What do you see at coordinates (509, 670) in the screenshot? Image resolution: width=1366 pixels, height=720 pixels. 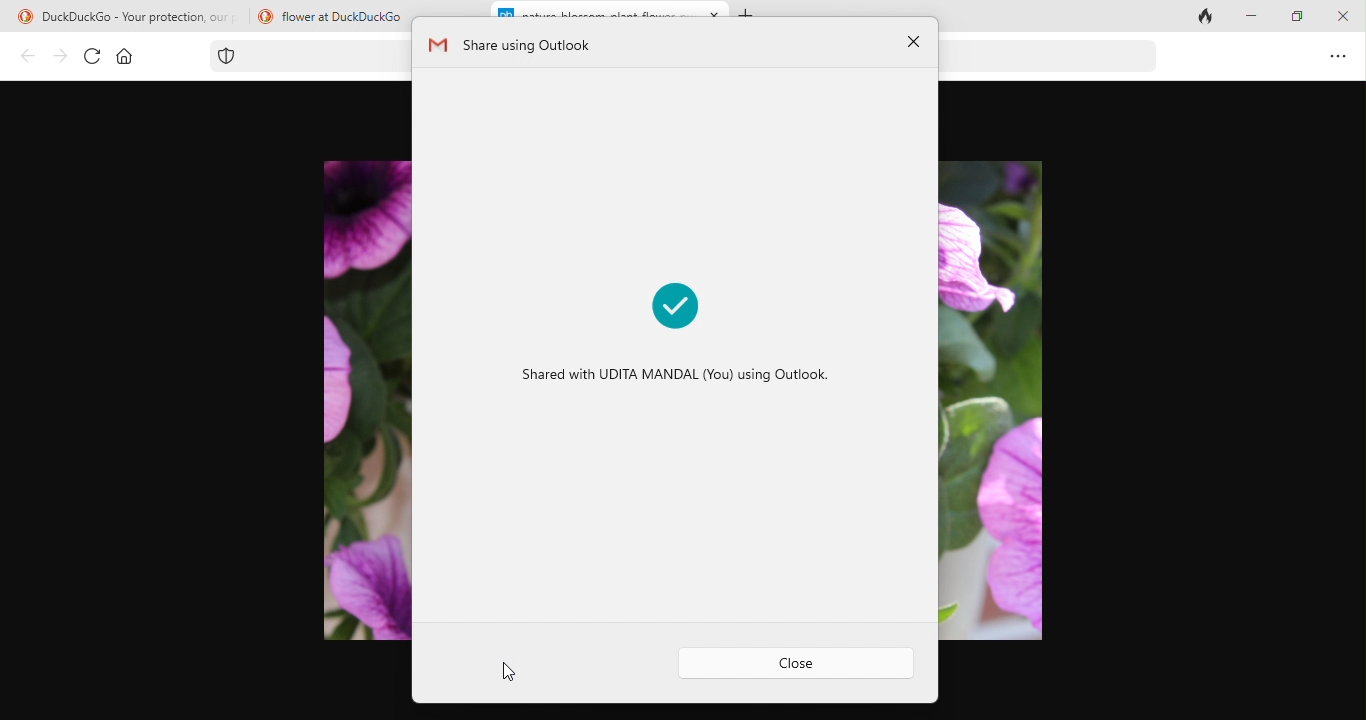 I see `cursor` at bounding box center [509, 670].